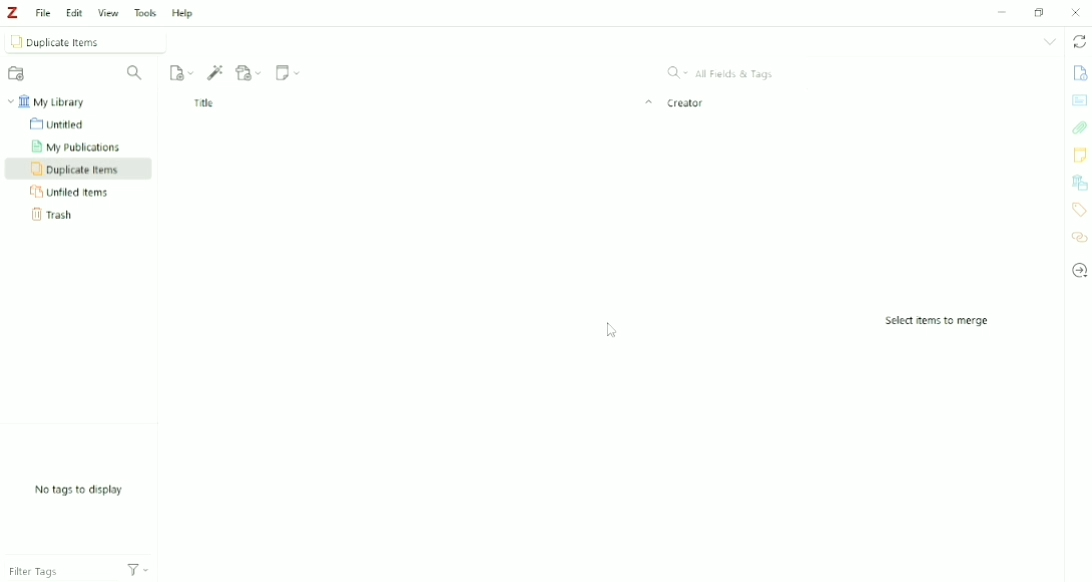 The width and height of the screenshot is (1092, 582). I want to click on Abstract, so click(1080, 100).